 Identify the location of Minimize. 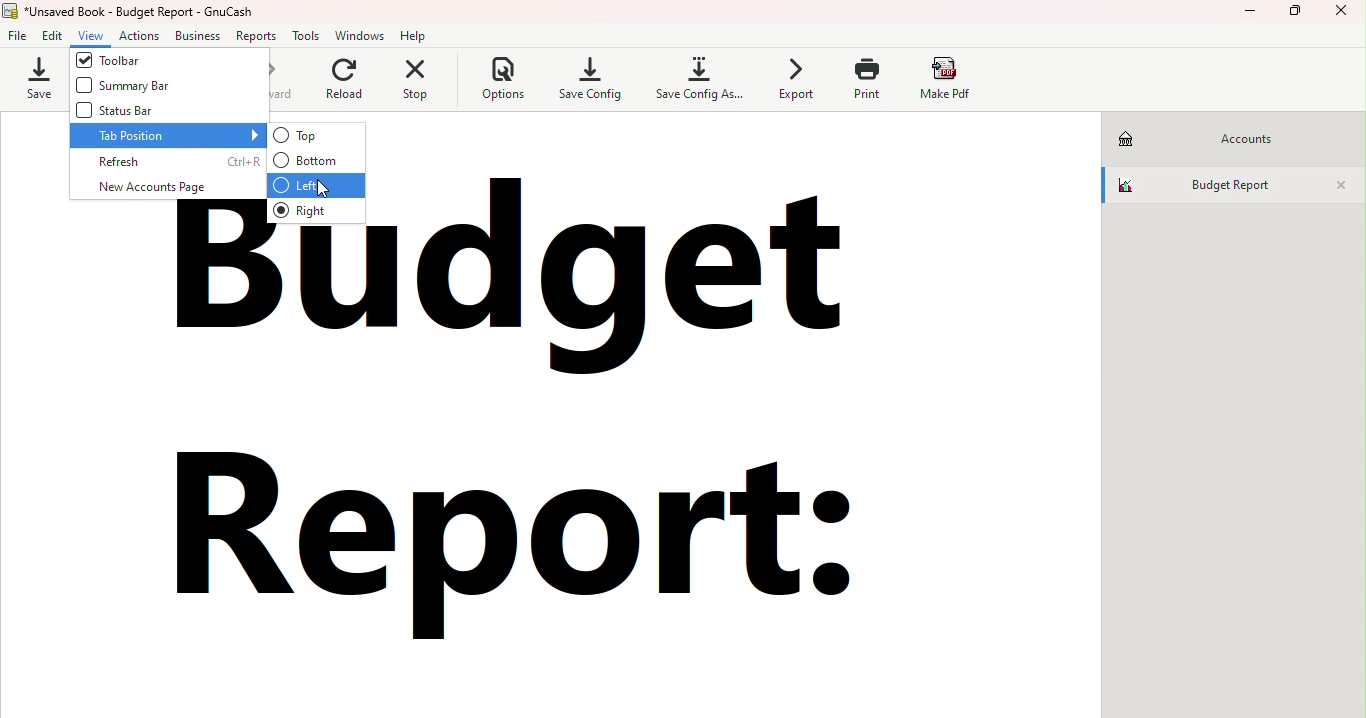
(1251, 14).